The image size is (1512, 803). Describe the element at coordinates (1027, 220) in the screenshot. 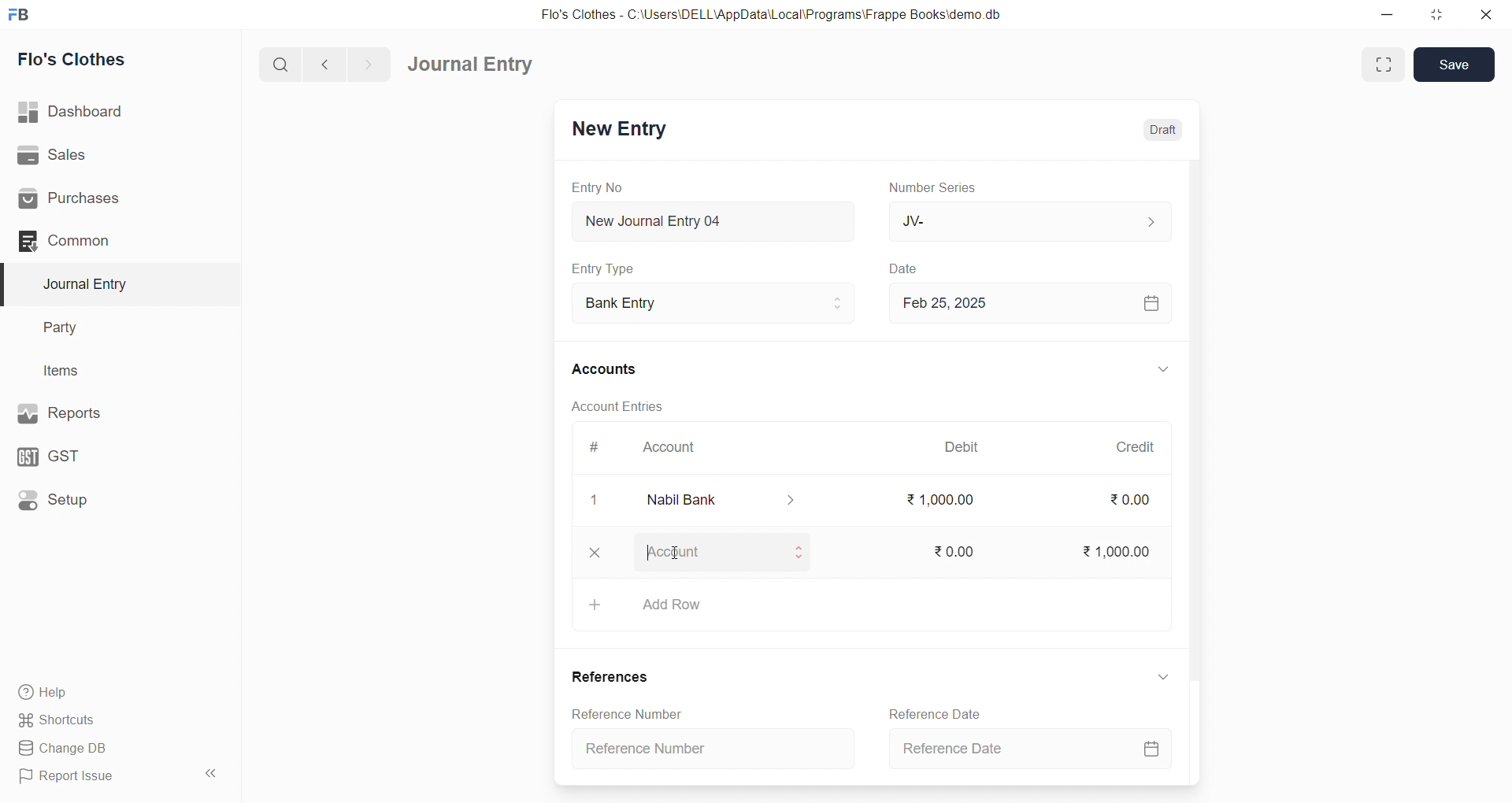

I see `JV-` at that location.